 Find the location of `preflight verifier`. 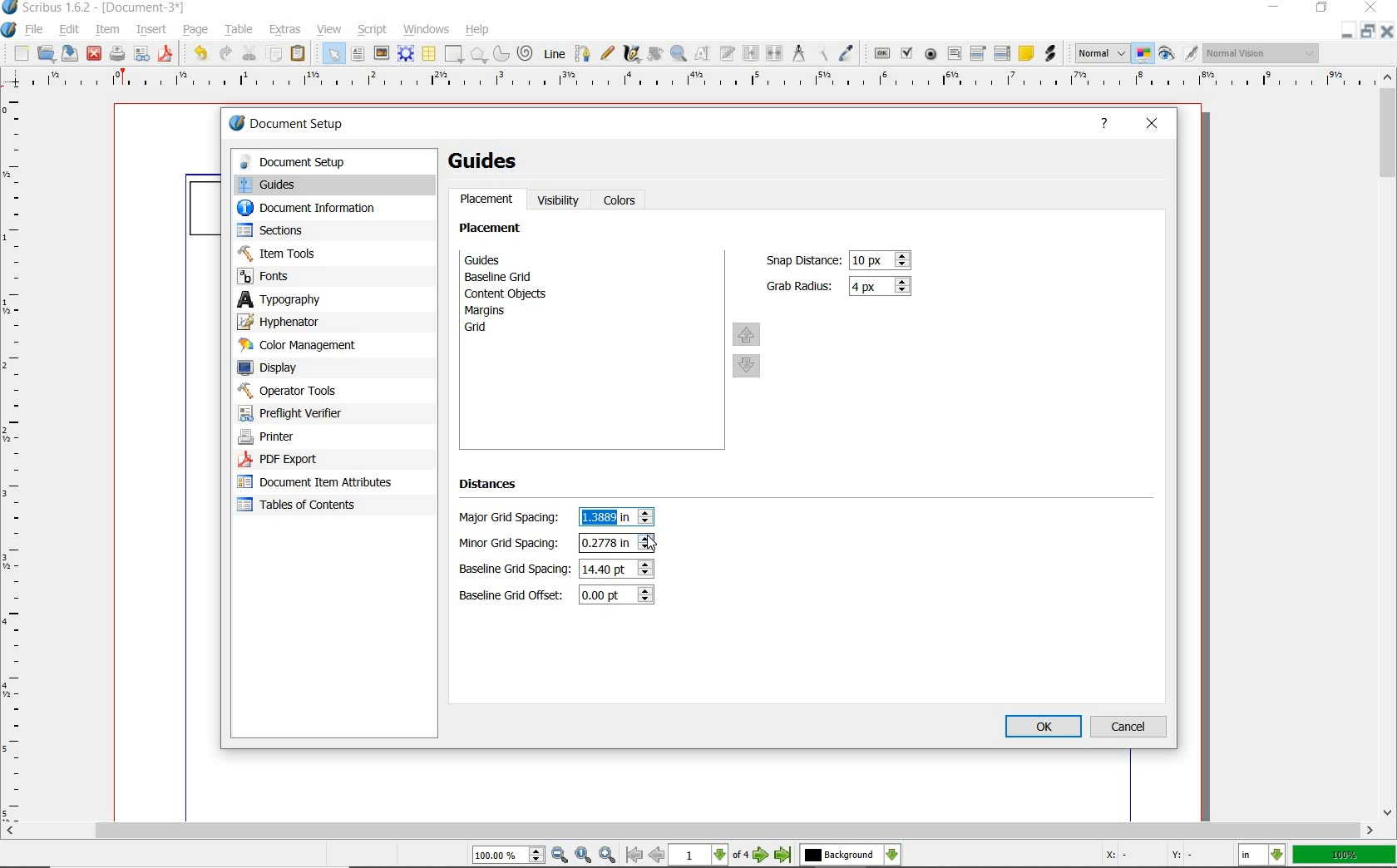

preflight verifier is located at coordinates (142, 55).